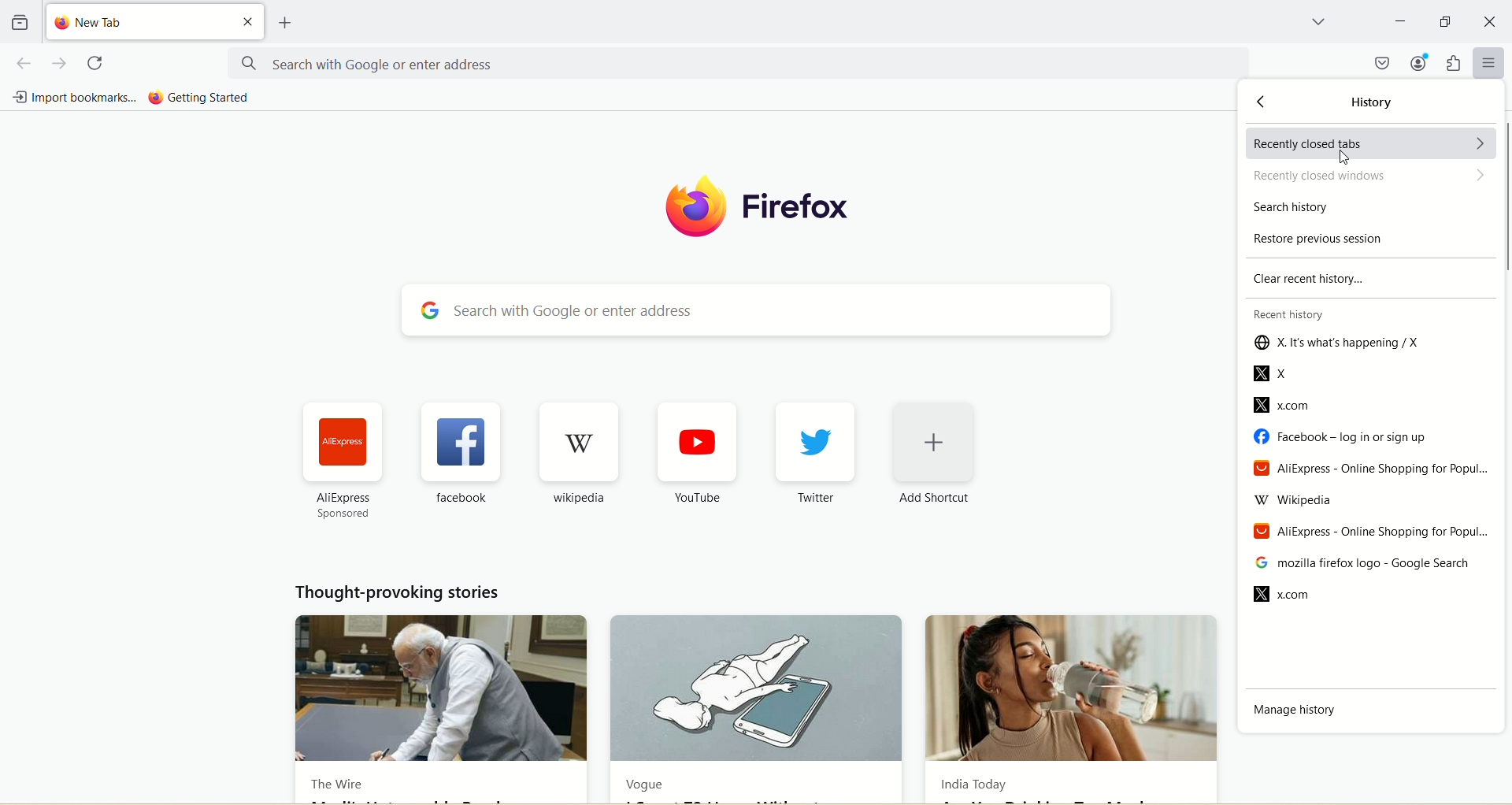  What do you see at coordinates (1421, 64) in the screenshot?
I see `account` at bounding box center [1421, 64].